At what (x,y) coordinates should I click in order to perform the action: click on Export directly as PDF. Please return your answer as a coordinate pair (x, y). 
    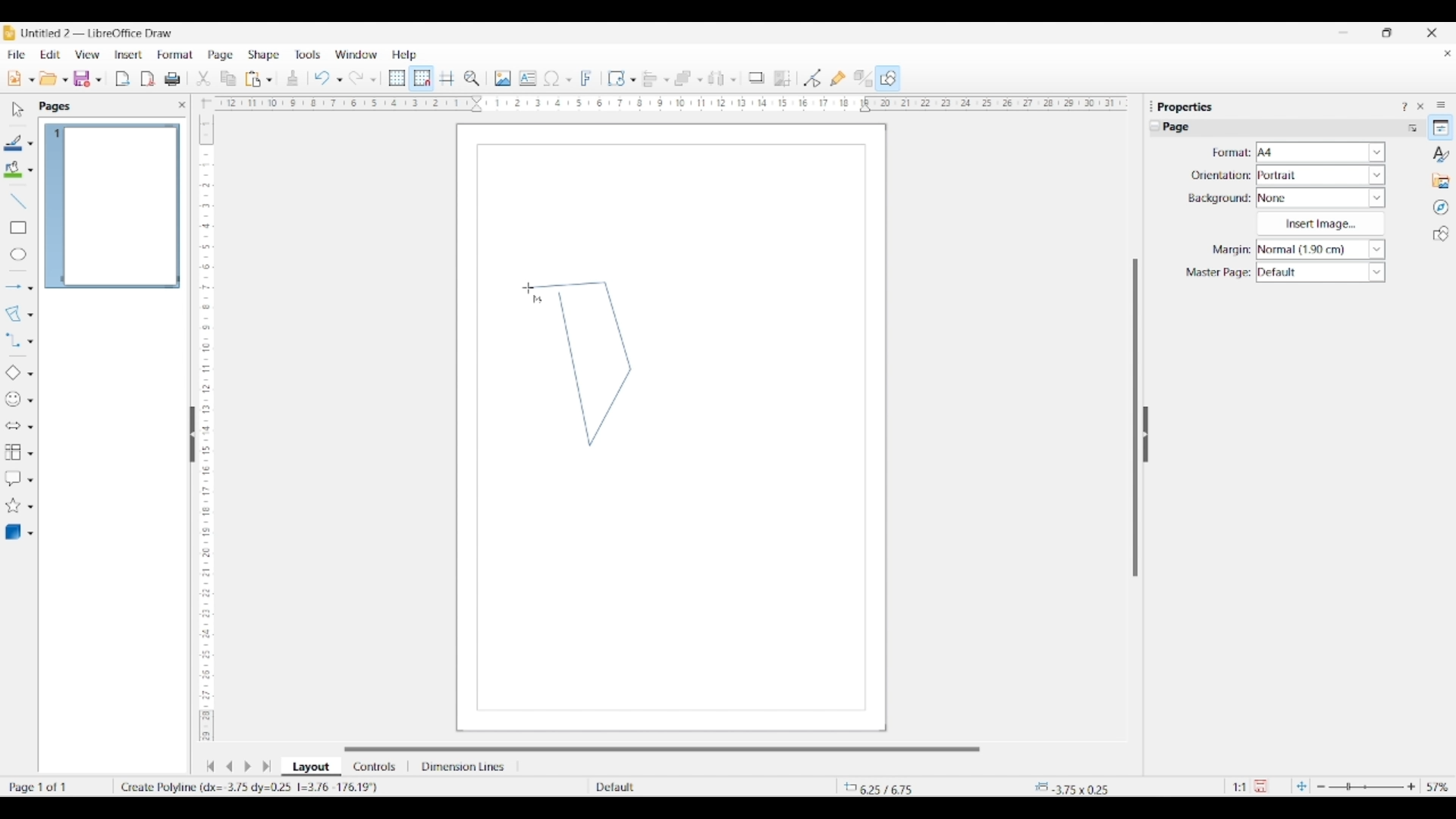
    Looking at the image, I should click on (148, 80).